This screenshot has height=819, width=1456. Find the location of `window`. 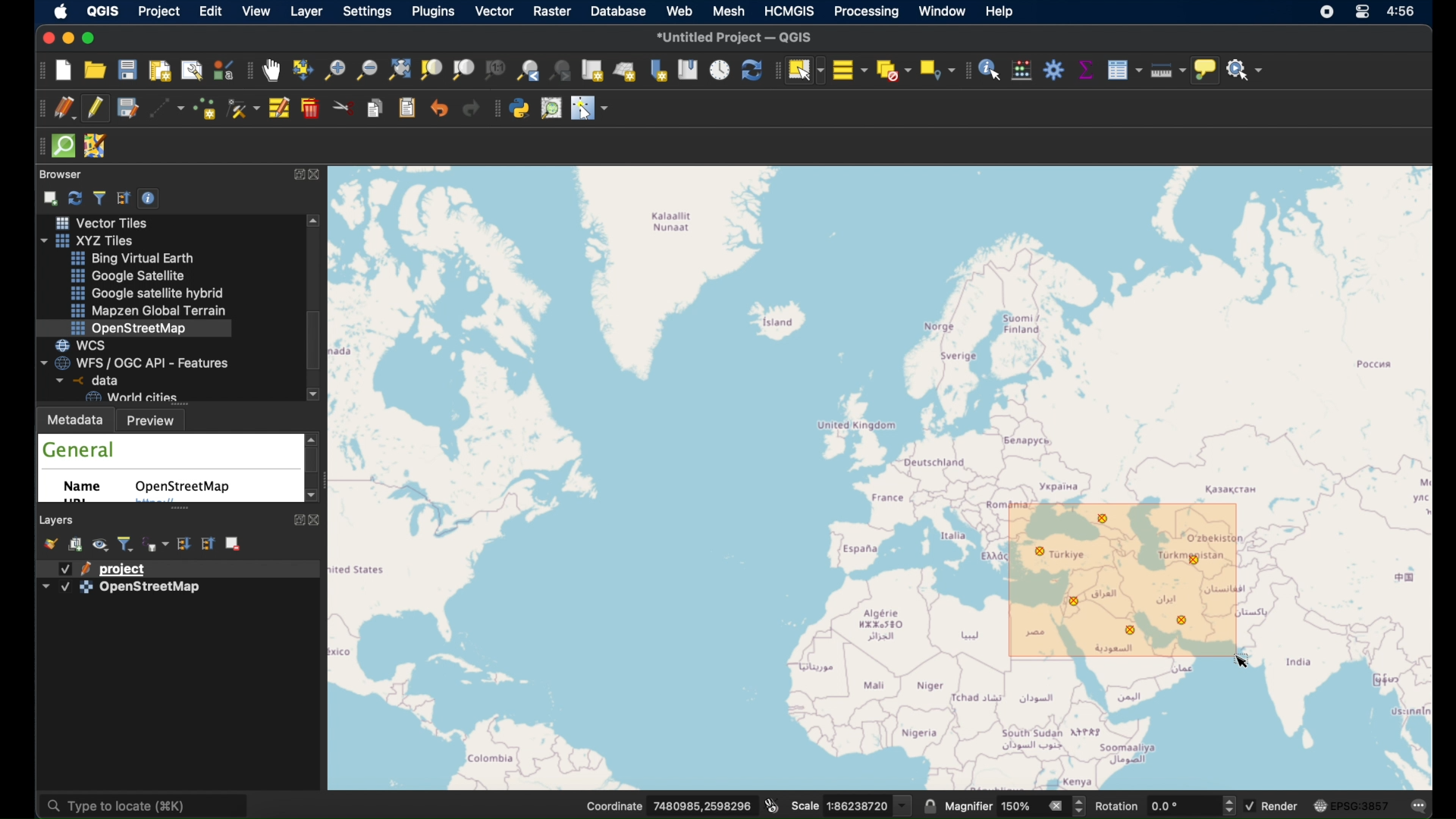

window is located at coordinates (943, 12).